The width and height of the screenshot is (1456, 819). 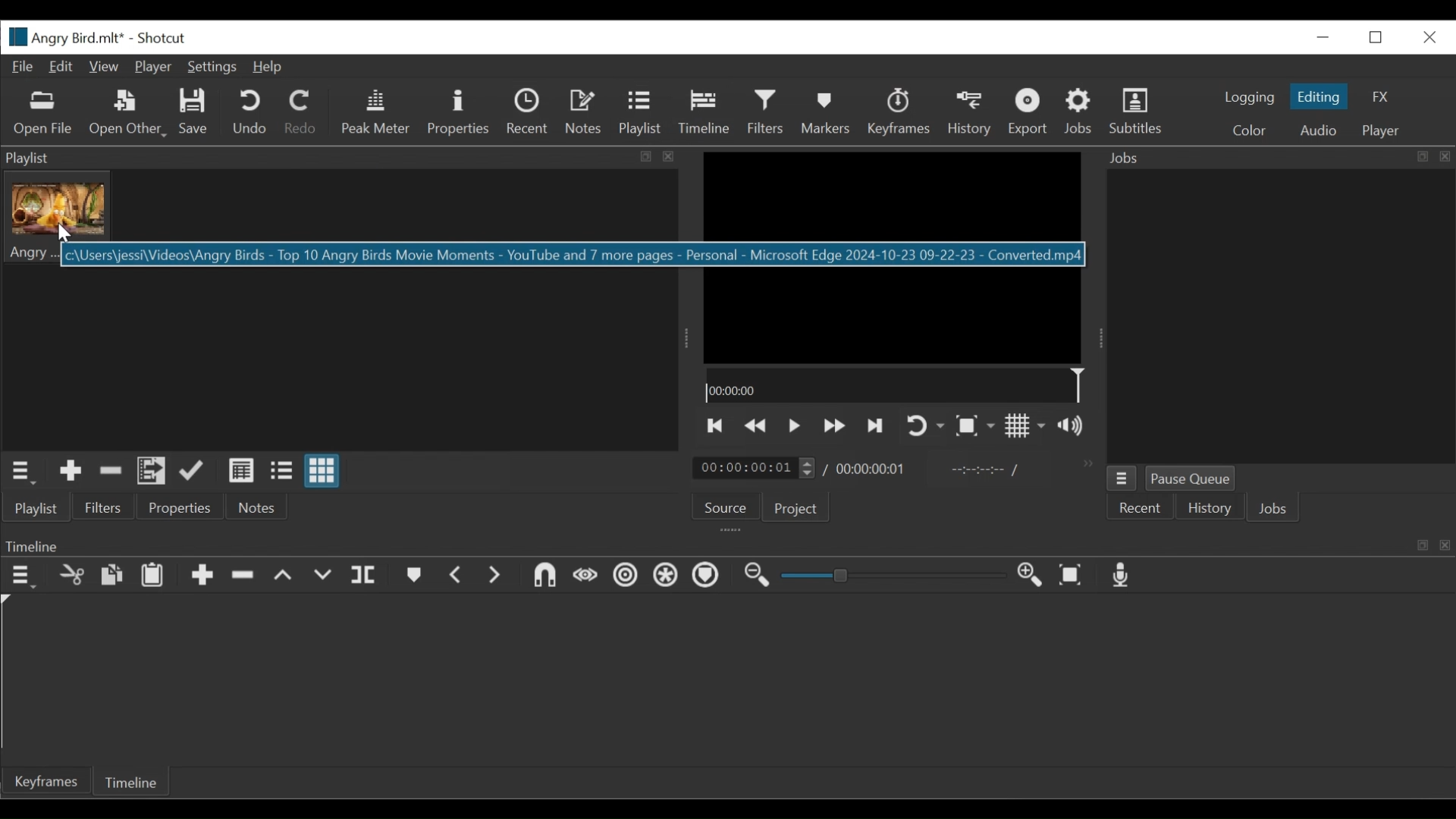 I want to click on Jobs Panel, so click(x=1279, y=316).